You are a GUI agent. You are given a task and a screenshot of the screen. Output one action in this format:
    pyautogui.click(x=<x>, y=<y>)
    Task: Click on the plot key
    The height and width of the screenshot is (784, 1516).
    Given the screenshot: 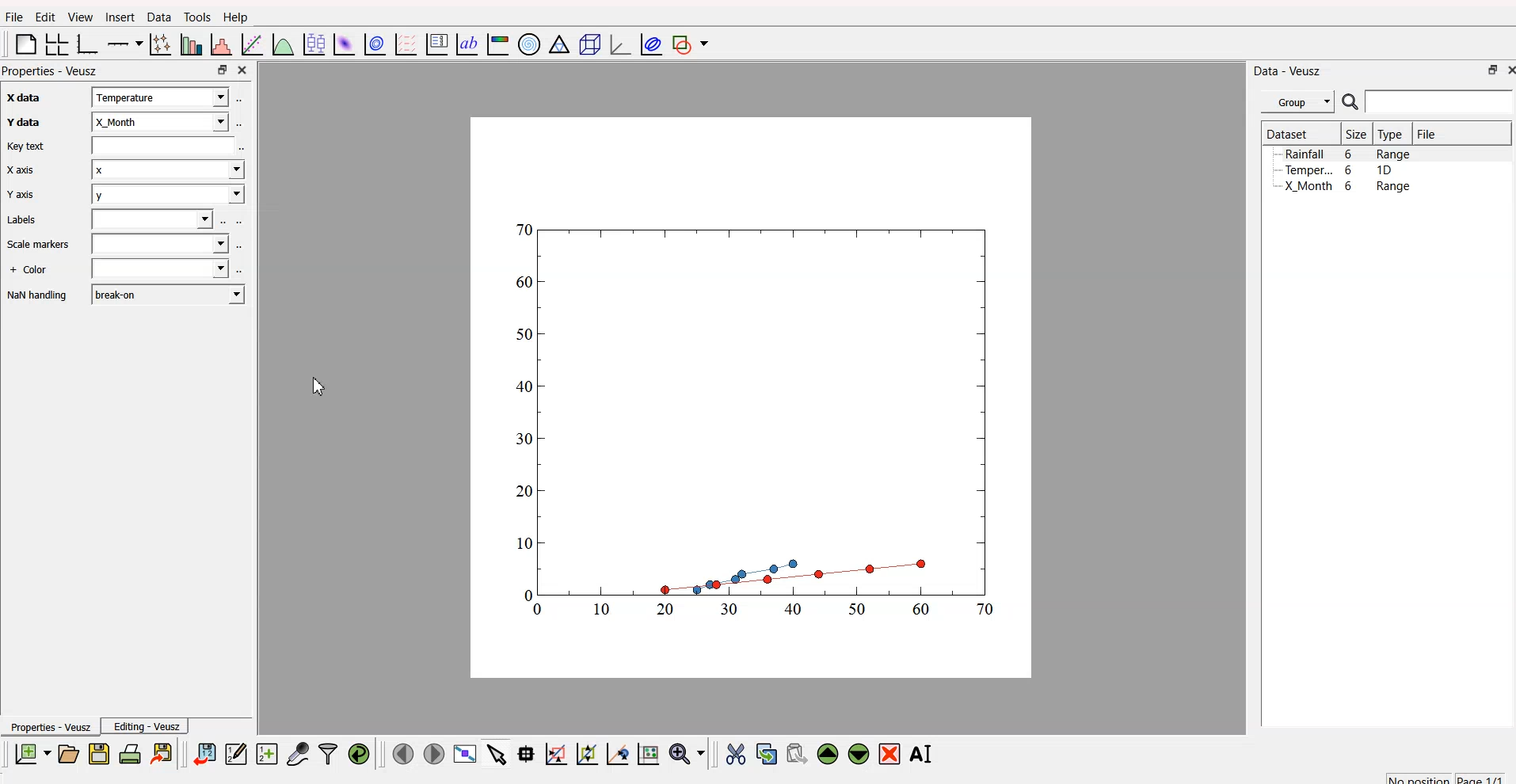 What is the action you would take?
    pyautogui.click(x=436, y=45)
    